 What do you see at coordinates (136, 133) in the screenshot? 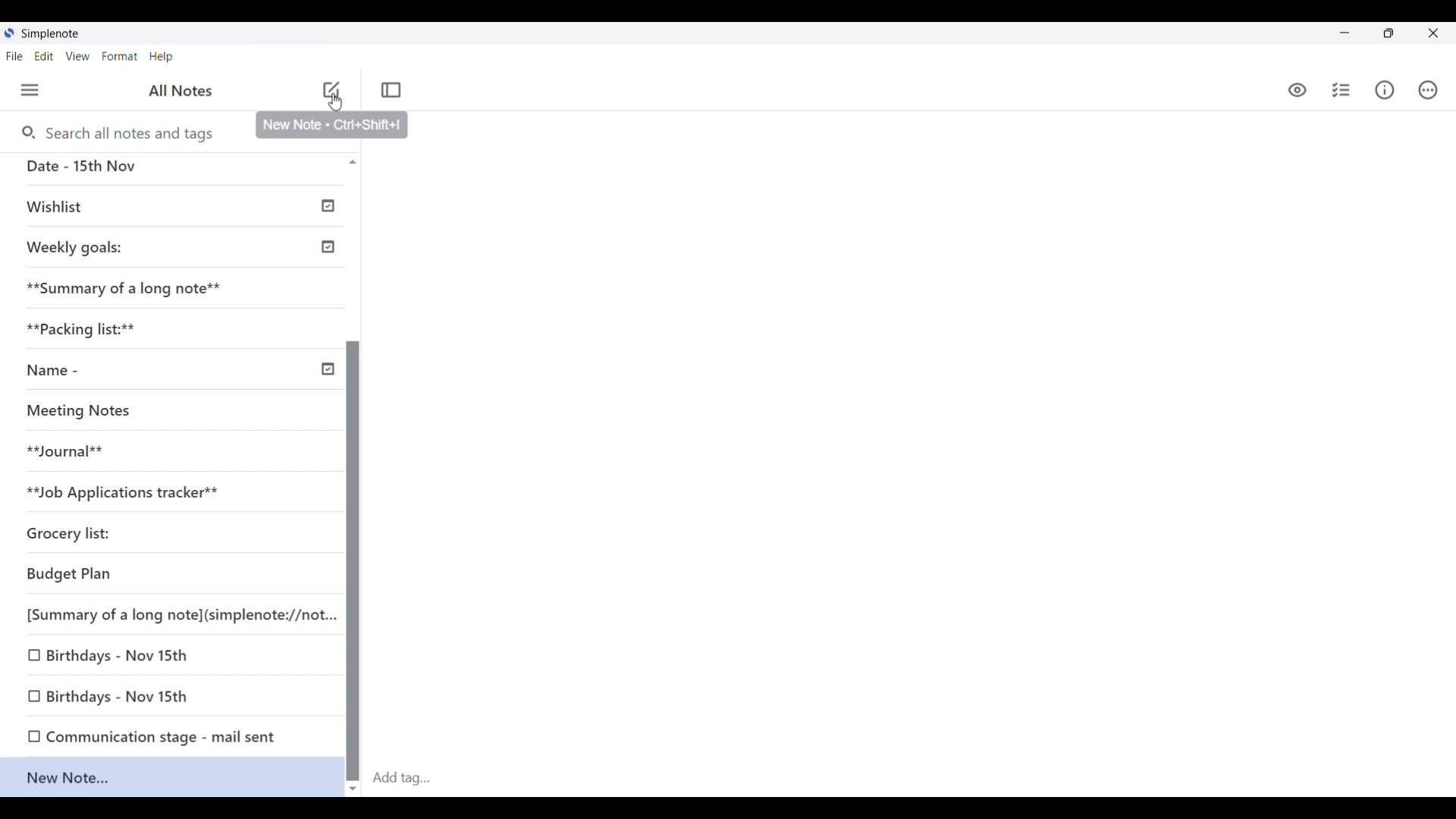
I see `Search notes and tags` at bounding box center [136, 133].